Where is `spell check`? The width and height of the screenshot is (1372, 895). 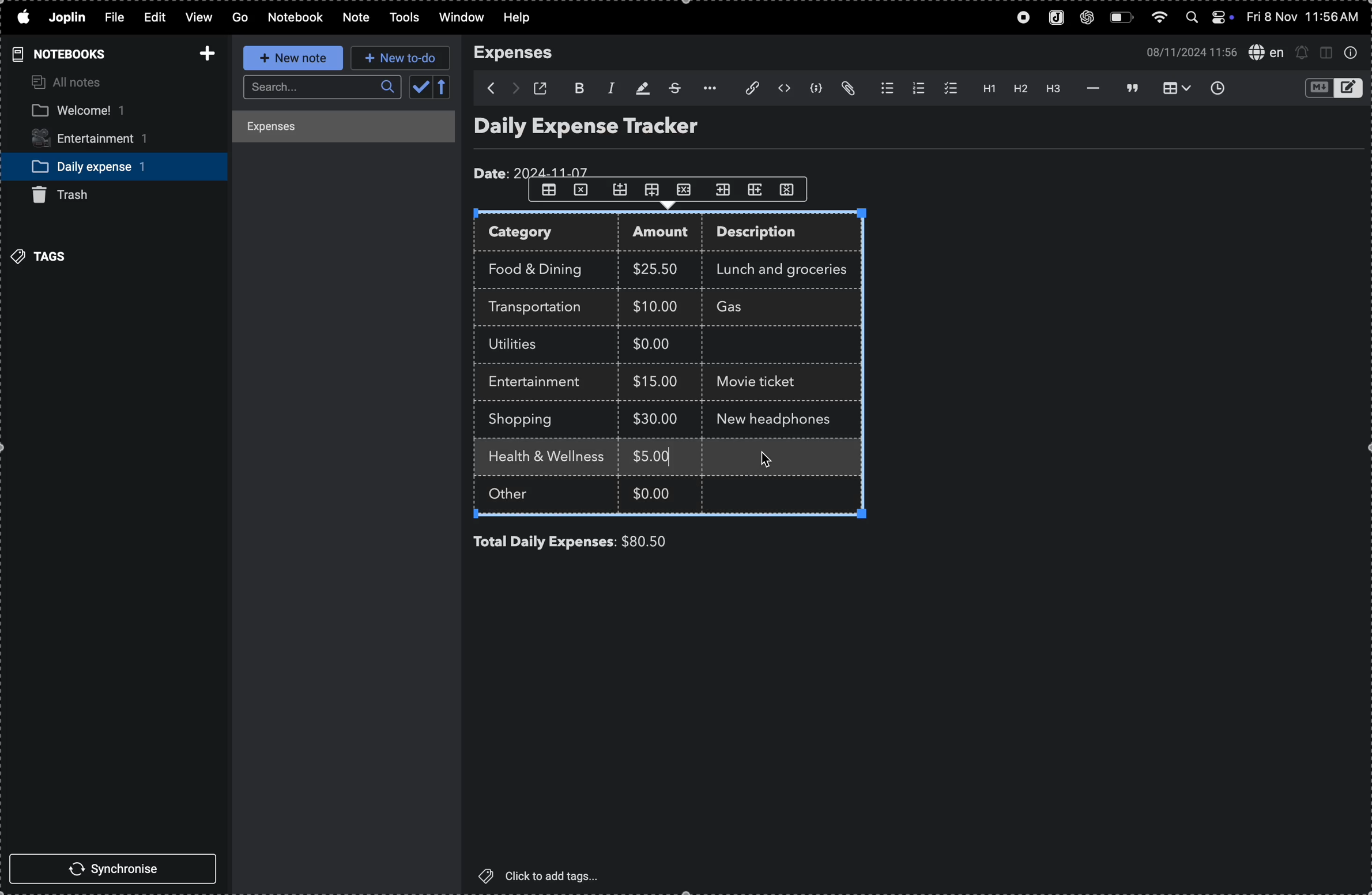
spell check is located at coordinates (1265, 51).